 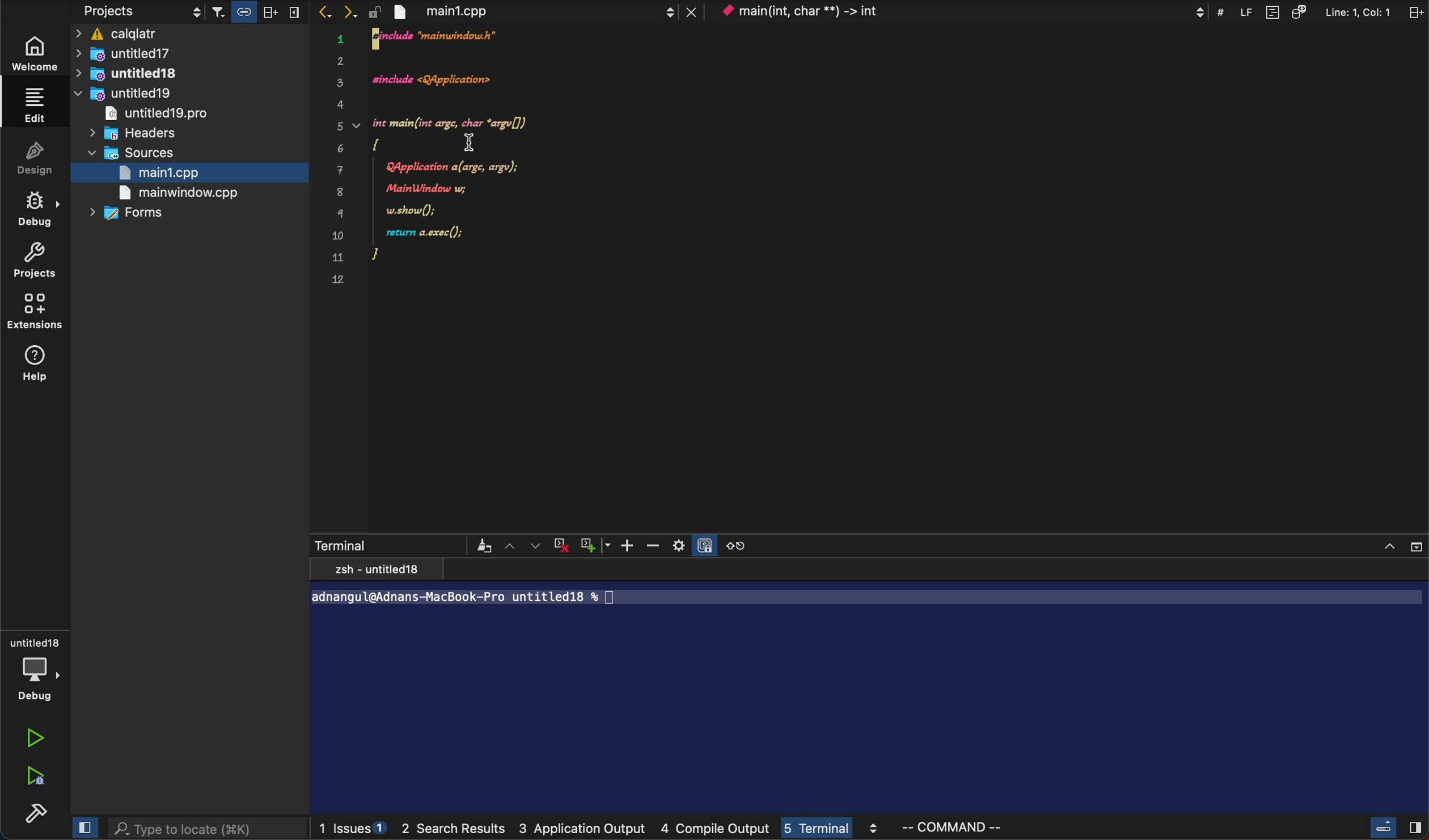 What do you see at coordinates (139, 12) in the screenshot?
I see `projects` at bounding box center [139, 12].